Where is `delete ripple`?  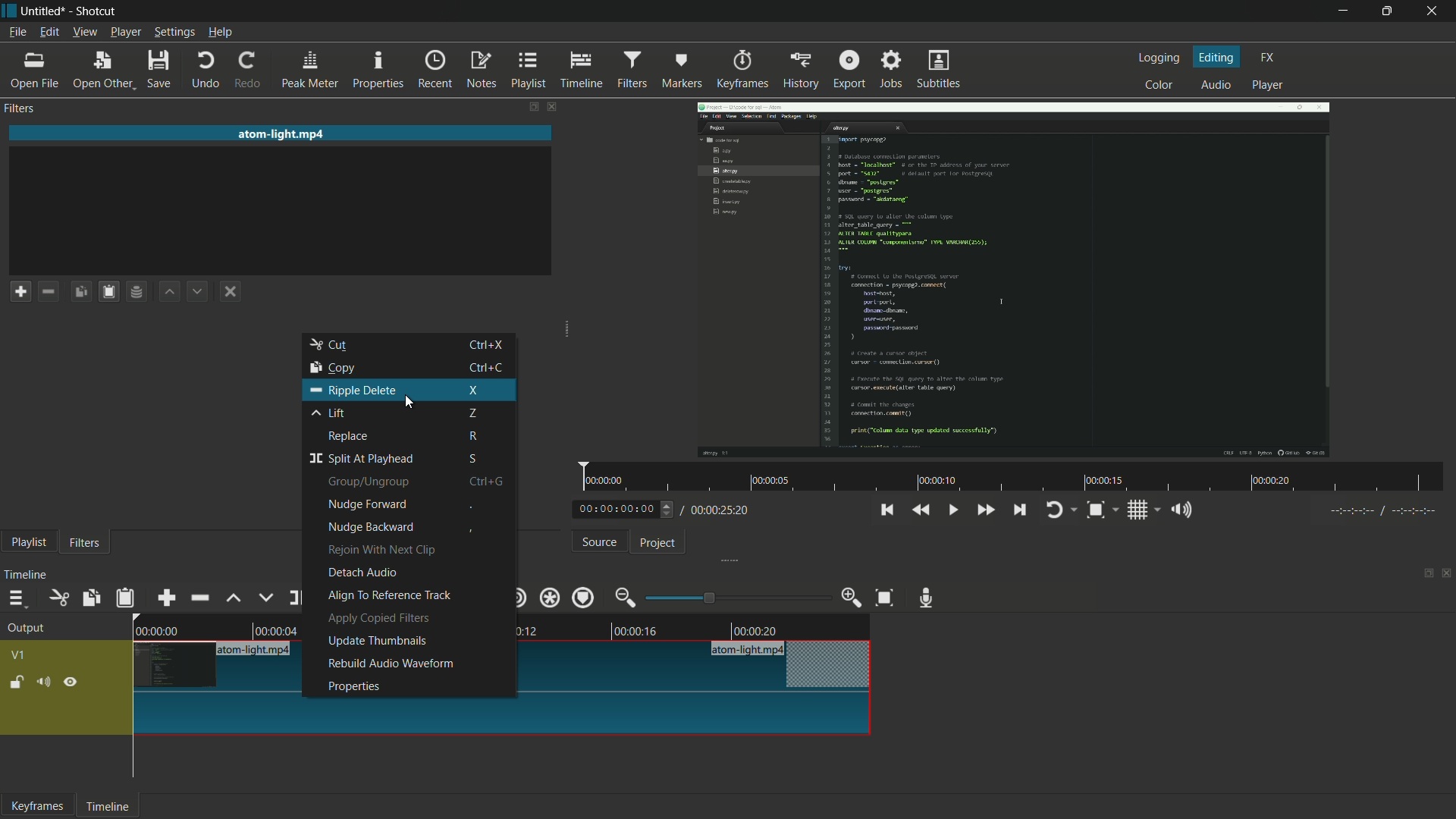
delete ripple is located at coordinates (199, 598).